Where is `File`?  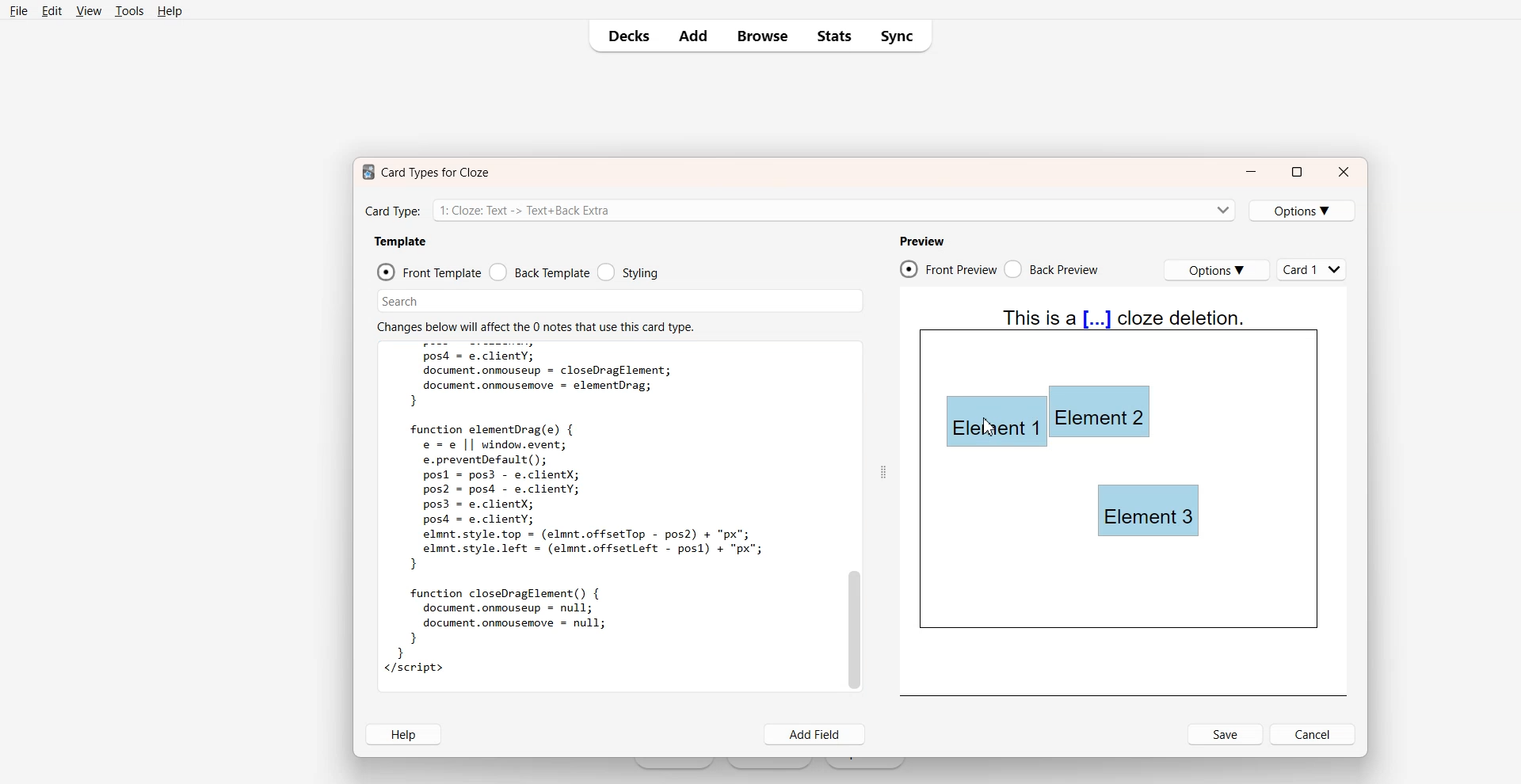 File is located at coordinates (19, 10).